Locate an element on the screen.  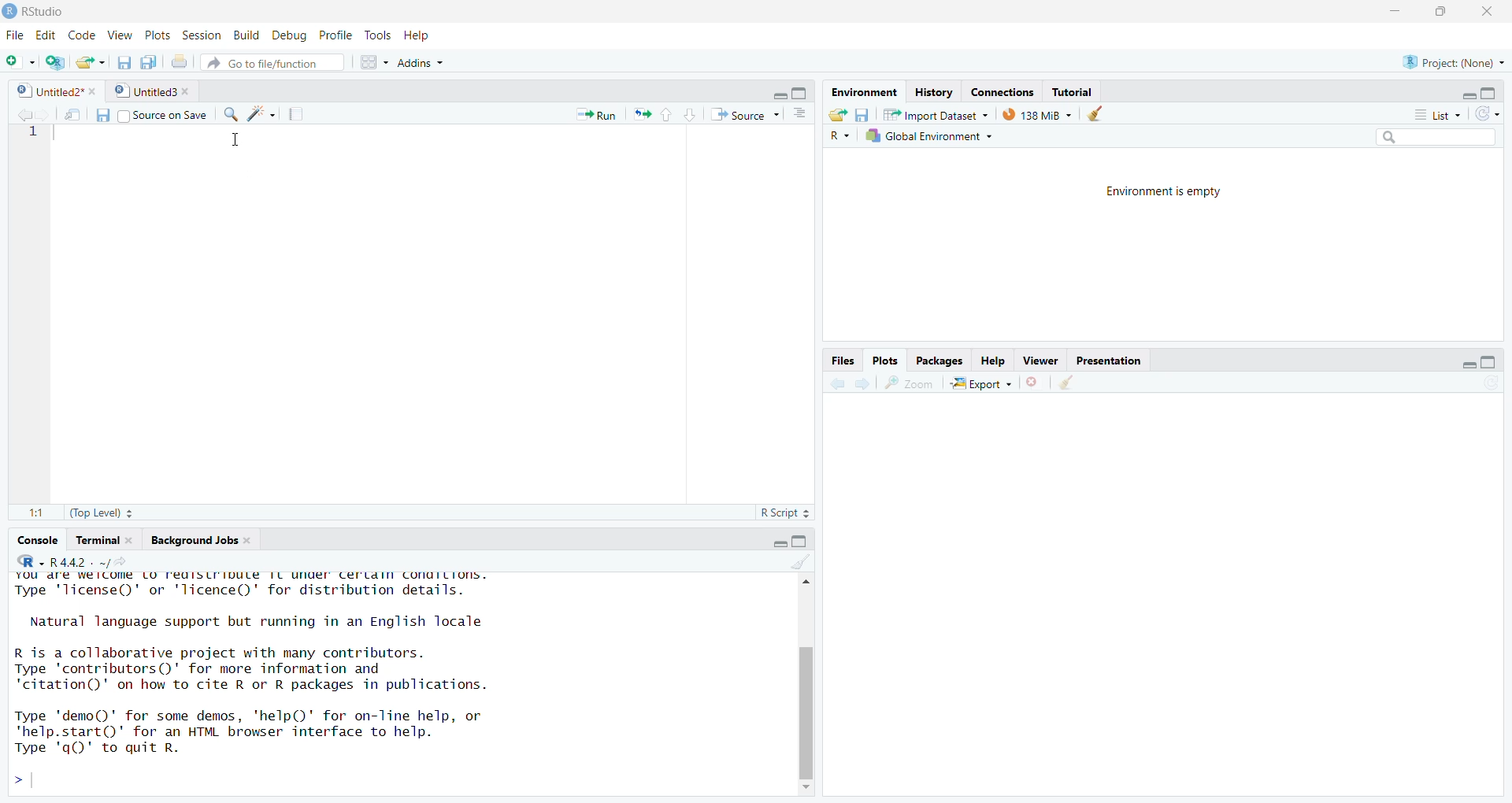
Open file is located at coordinates (90, 61).